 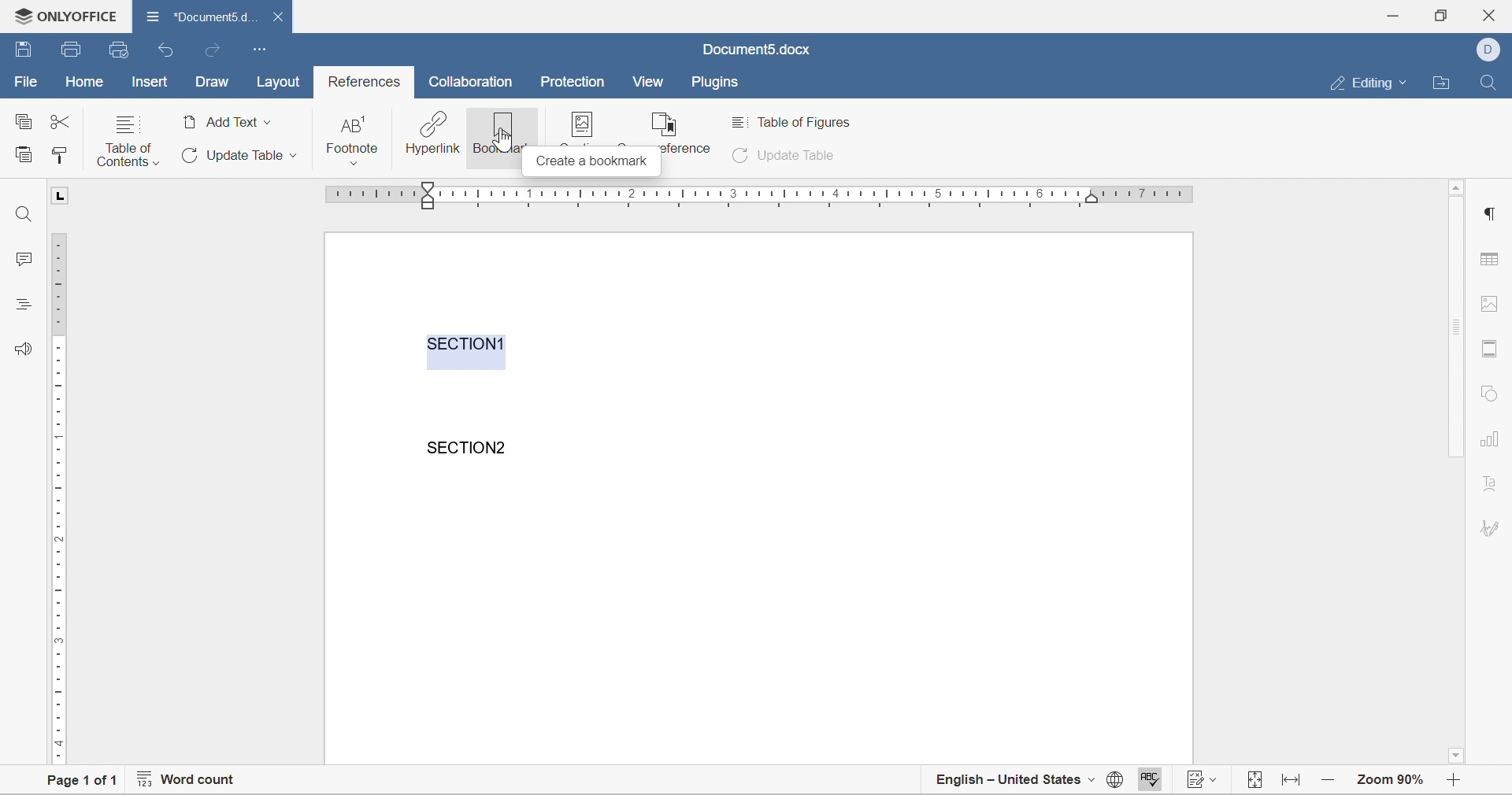 I want to click on ruler, so click(x=57, y=497).